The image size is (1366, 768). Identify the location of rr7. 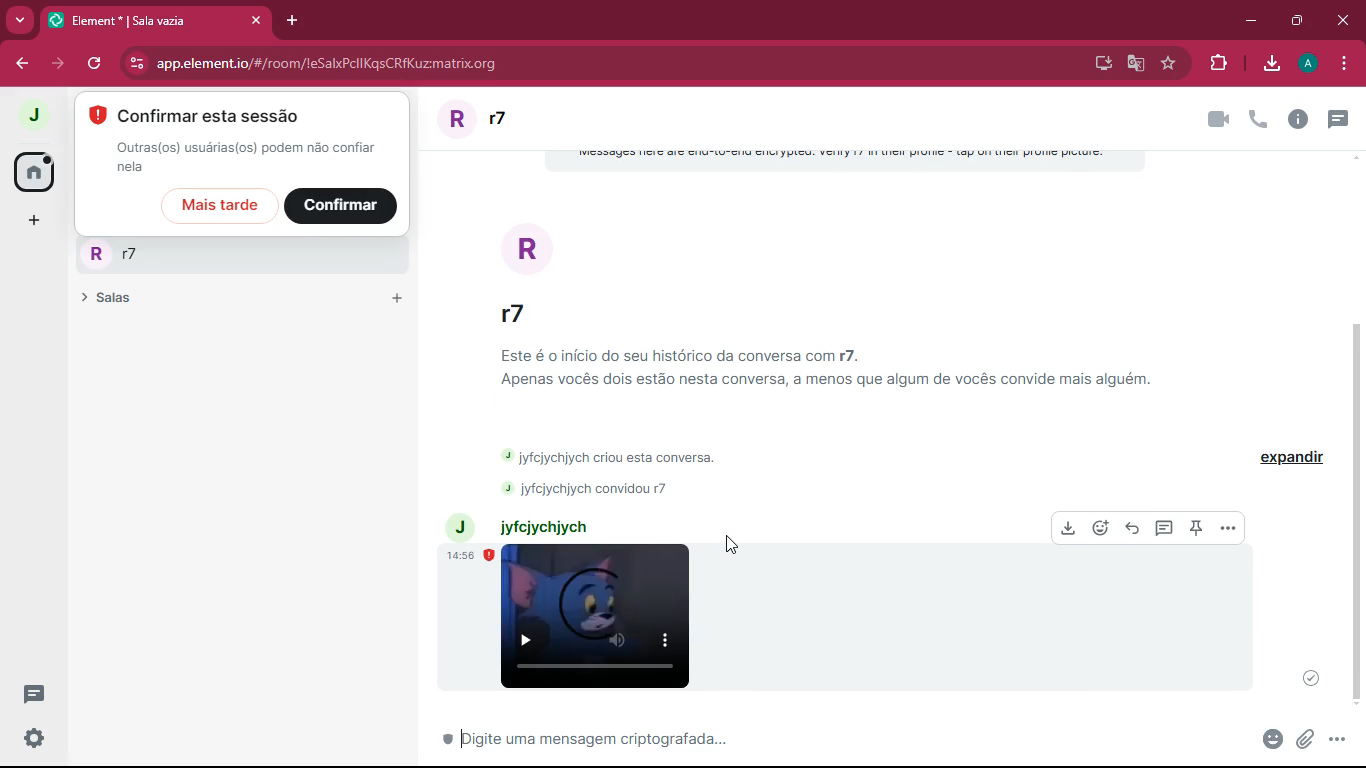
(482, 120).